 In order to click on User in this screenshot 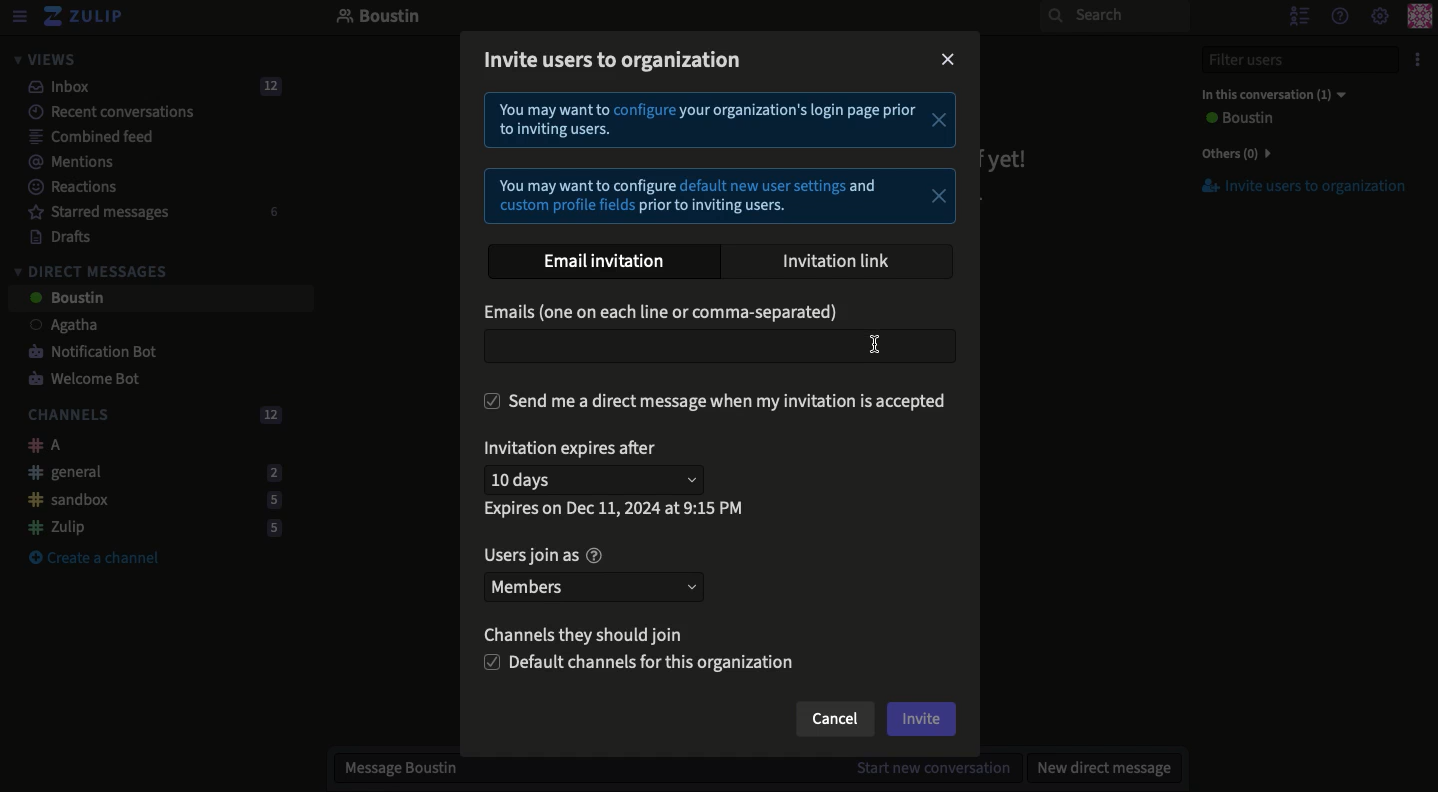, I will do `click(1236, 119)`.